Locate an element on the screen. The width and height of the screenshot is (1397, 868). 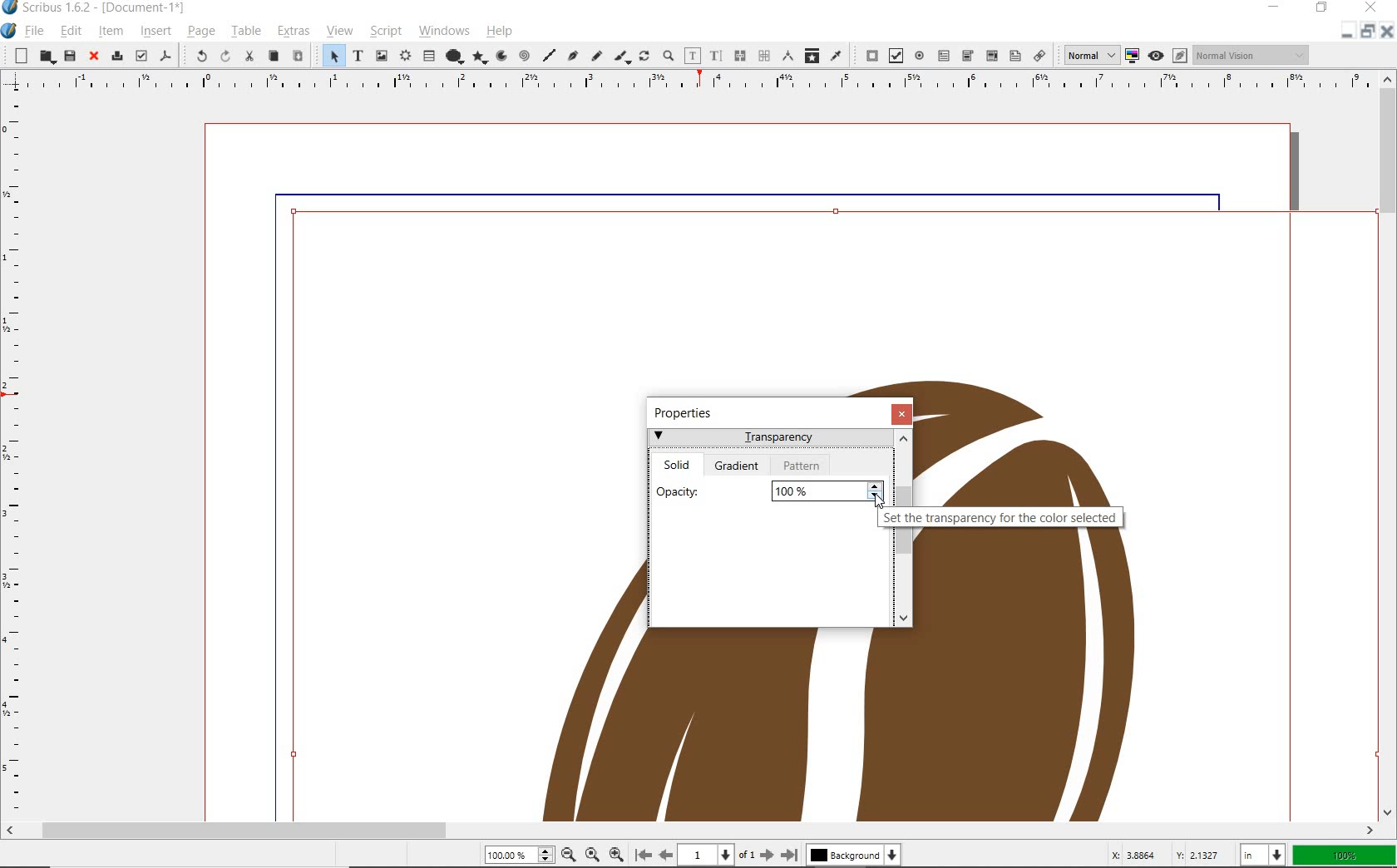
Properties is located at coordinates (688, 412).